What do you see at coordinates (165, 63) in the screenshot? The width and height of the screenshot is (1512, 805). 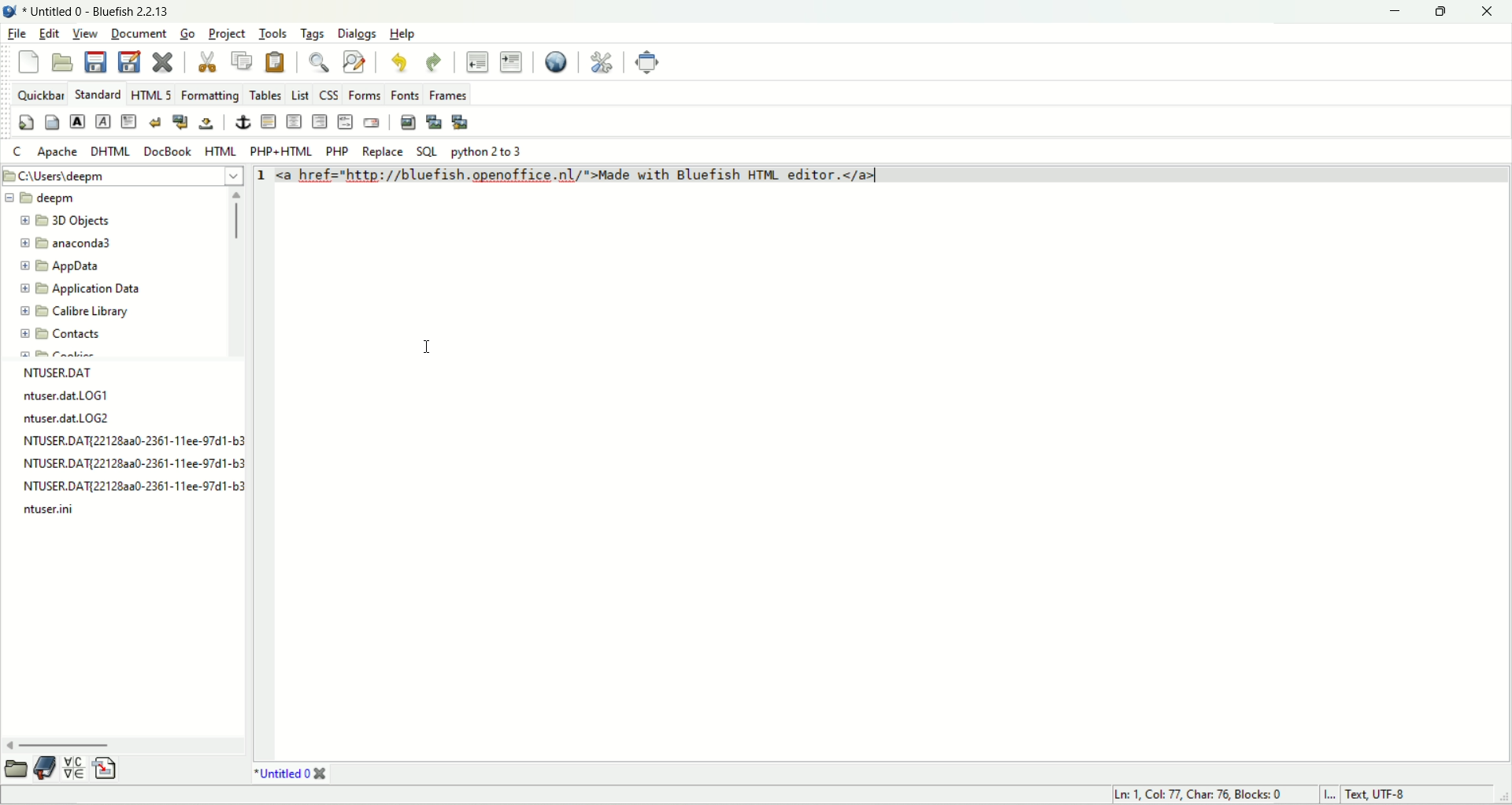 I see `close current file` at bounding box center [165, 63].